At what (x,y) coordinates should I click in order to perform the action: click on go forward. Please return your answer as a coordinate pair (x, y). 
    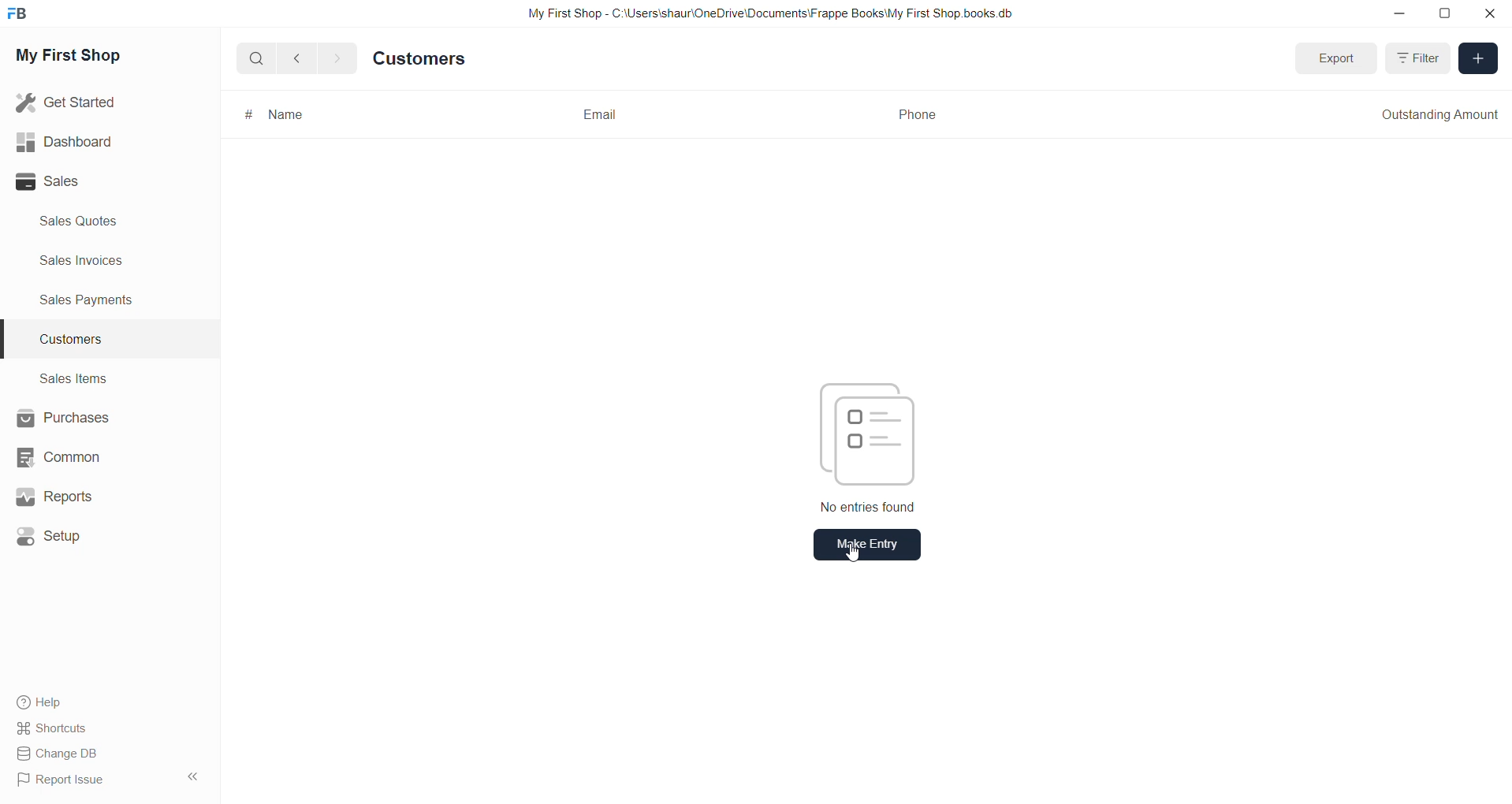
    Looking at the image, I should click on (337, 60).